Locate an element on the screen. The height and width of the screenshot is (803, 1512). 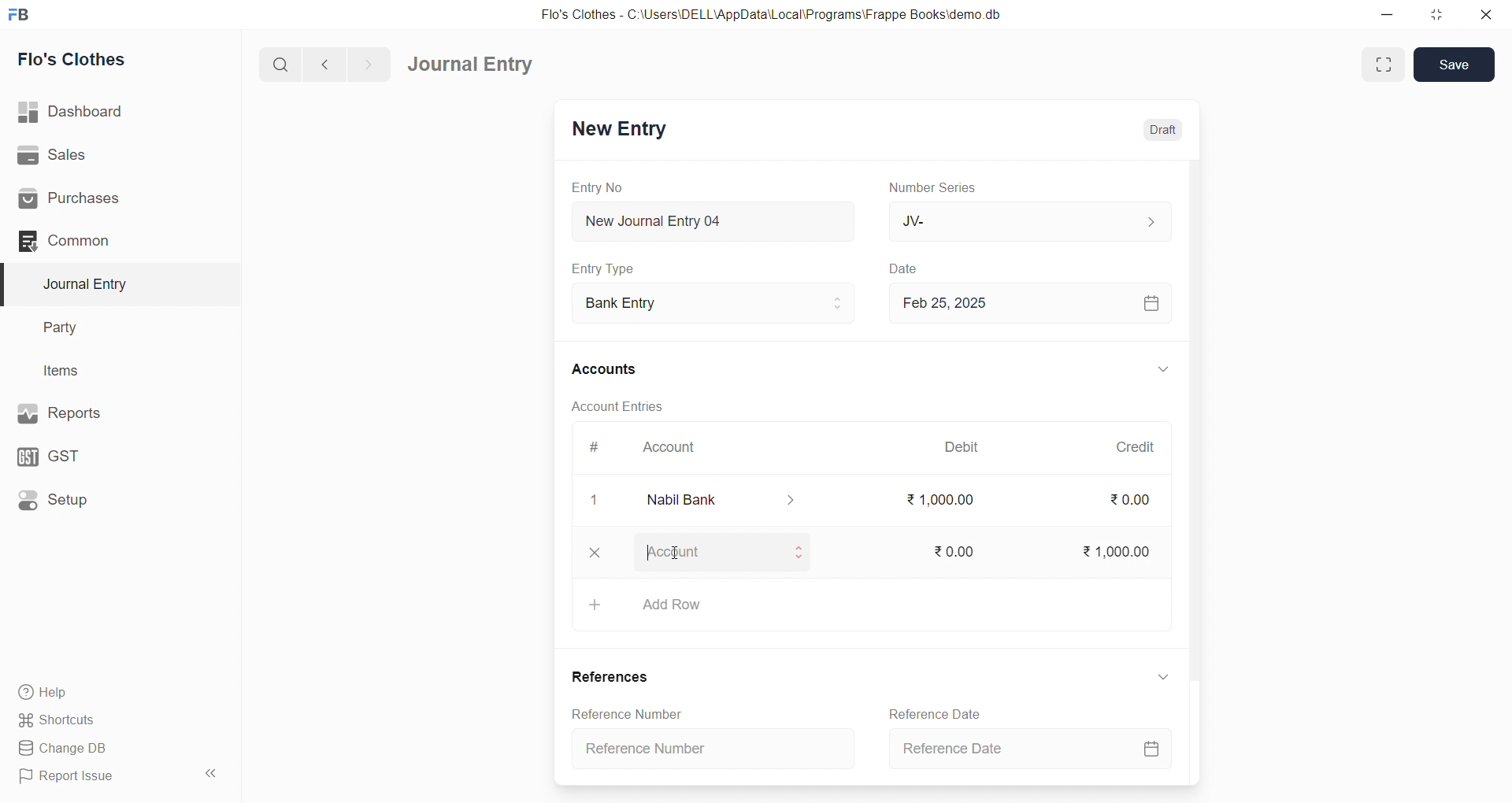
Accounts is located at coordinates (614, 368).